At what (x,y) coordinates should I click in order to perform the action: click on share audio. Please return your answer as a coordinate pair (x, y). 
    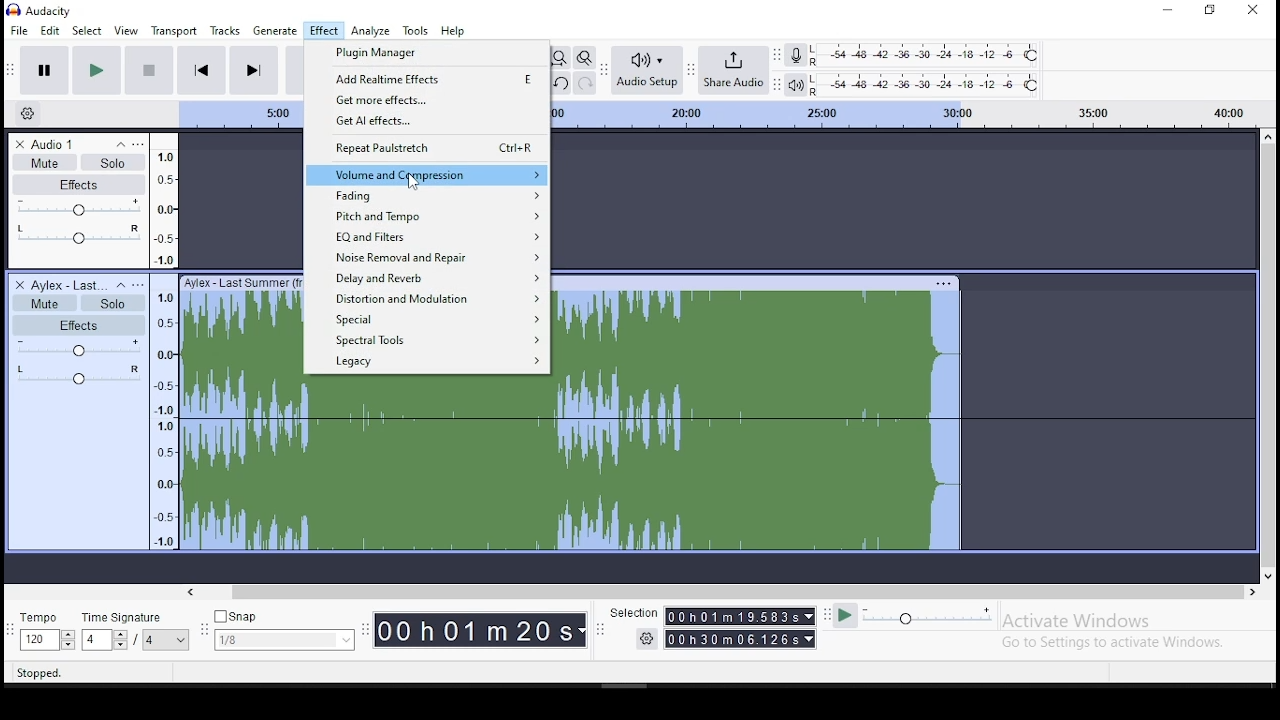
    Looking at the image, I should click on (736, 68).